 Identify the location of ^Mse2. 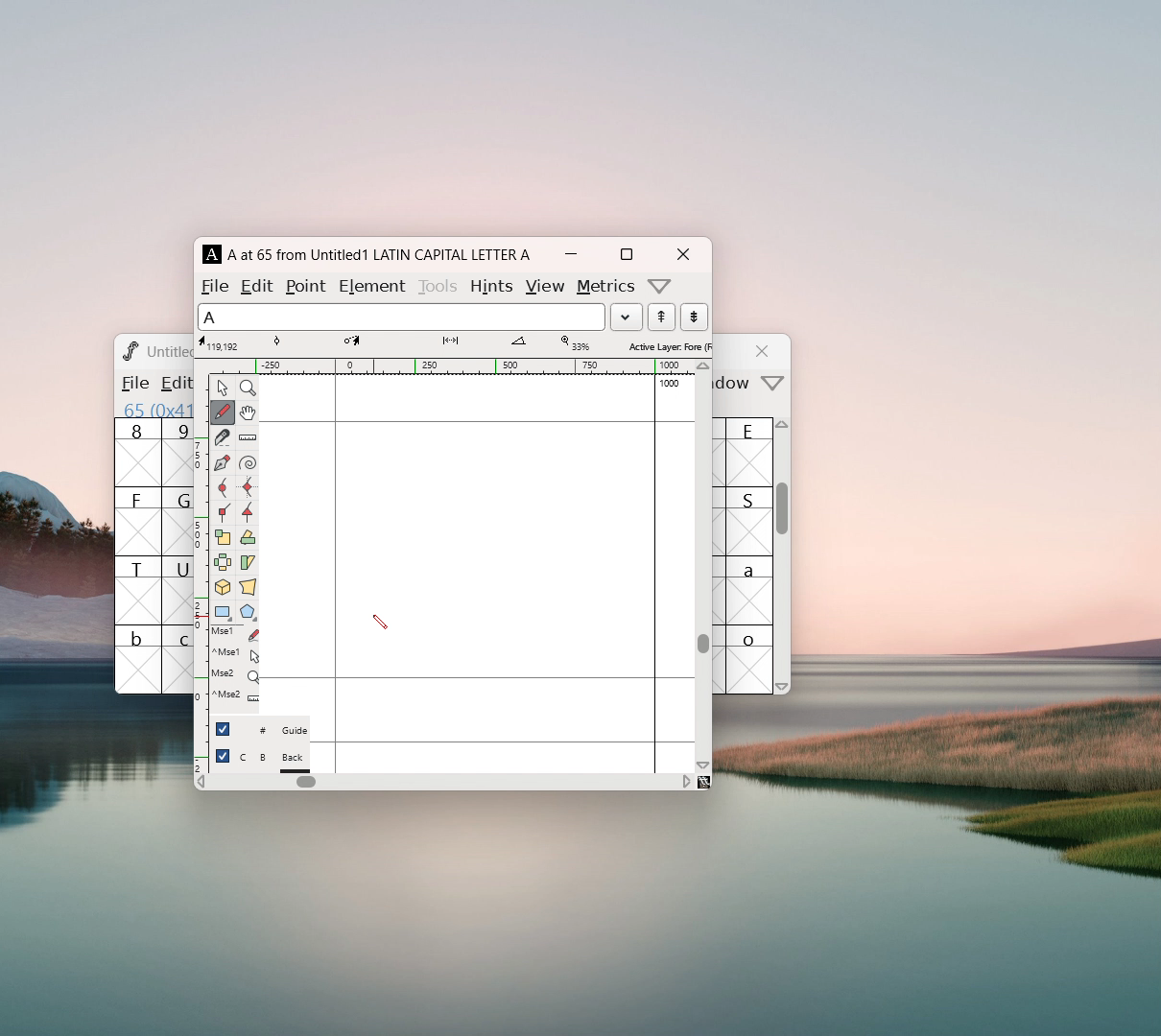
(235, 695).